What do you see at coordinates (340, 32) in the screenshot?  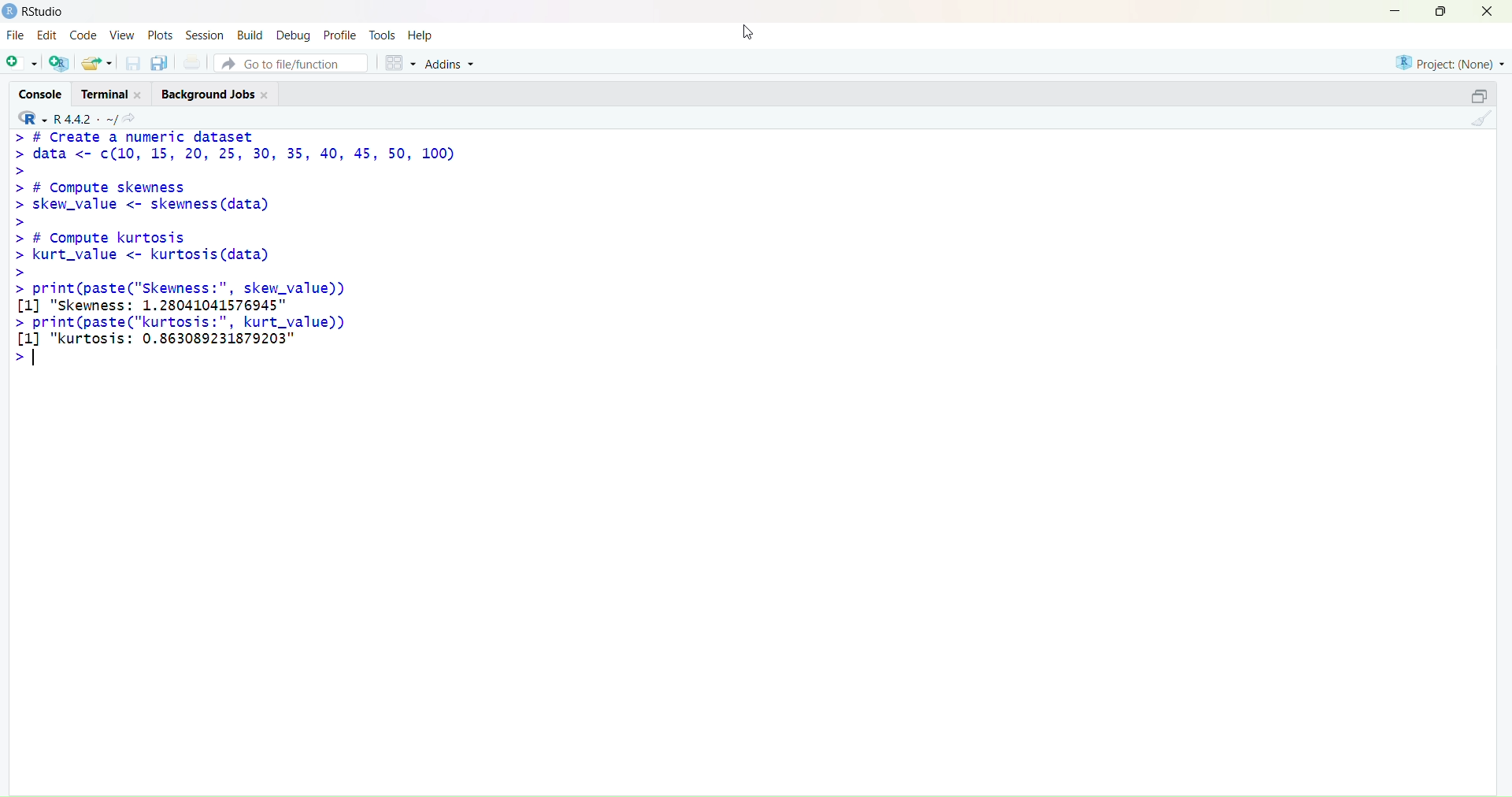 I see `Profile` at bounding box center [340, 32].